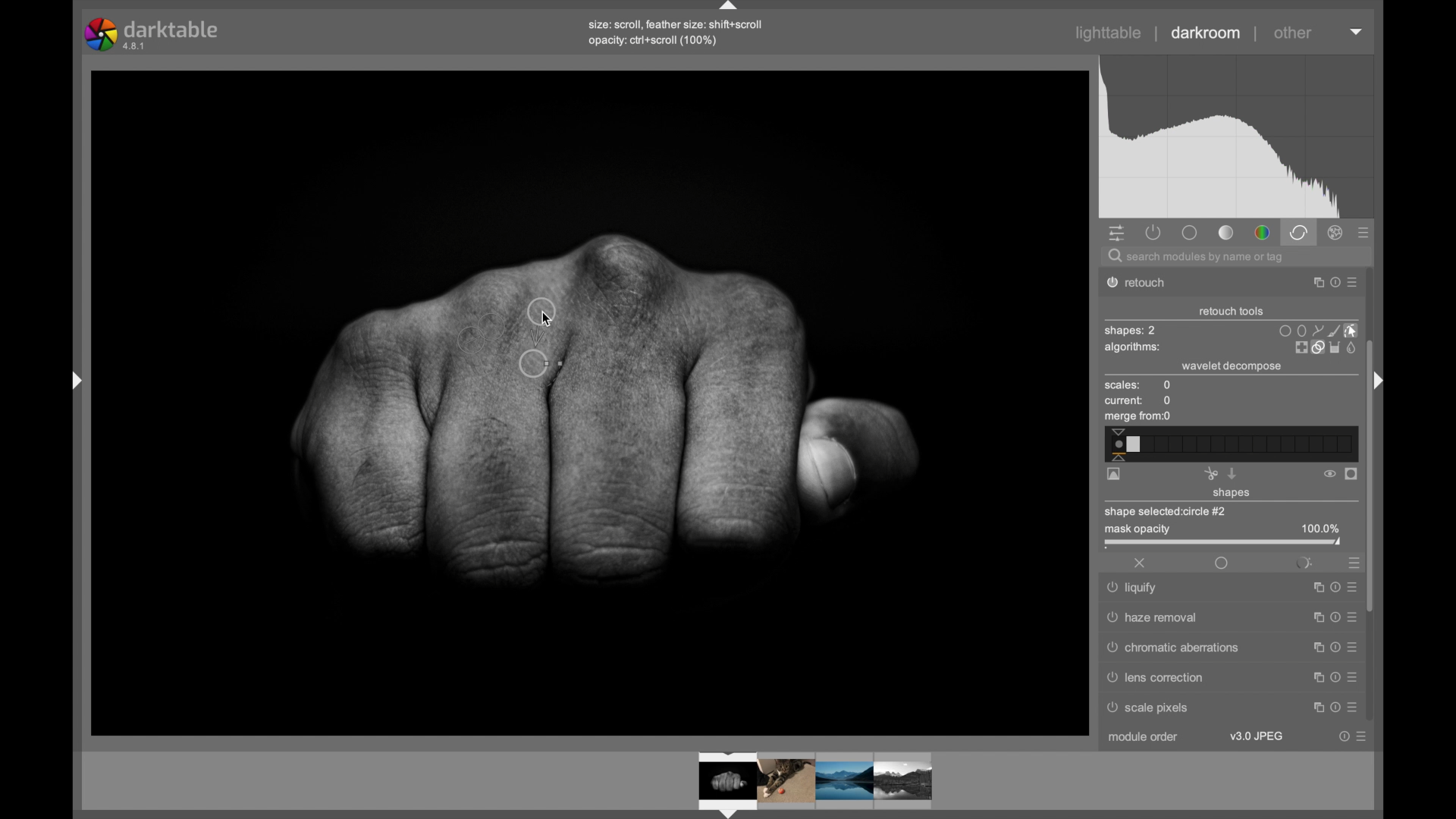  Describe the element at coordinates (1166, 677) in the screenshot. I see `lens correction` at that location.